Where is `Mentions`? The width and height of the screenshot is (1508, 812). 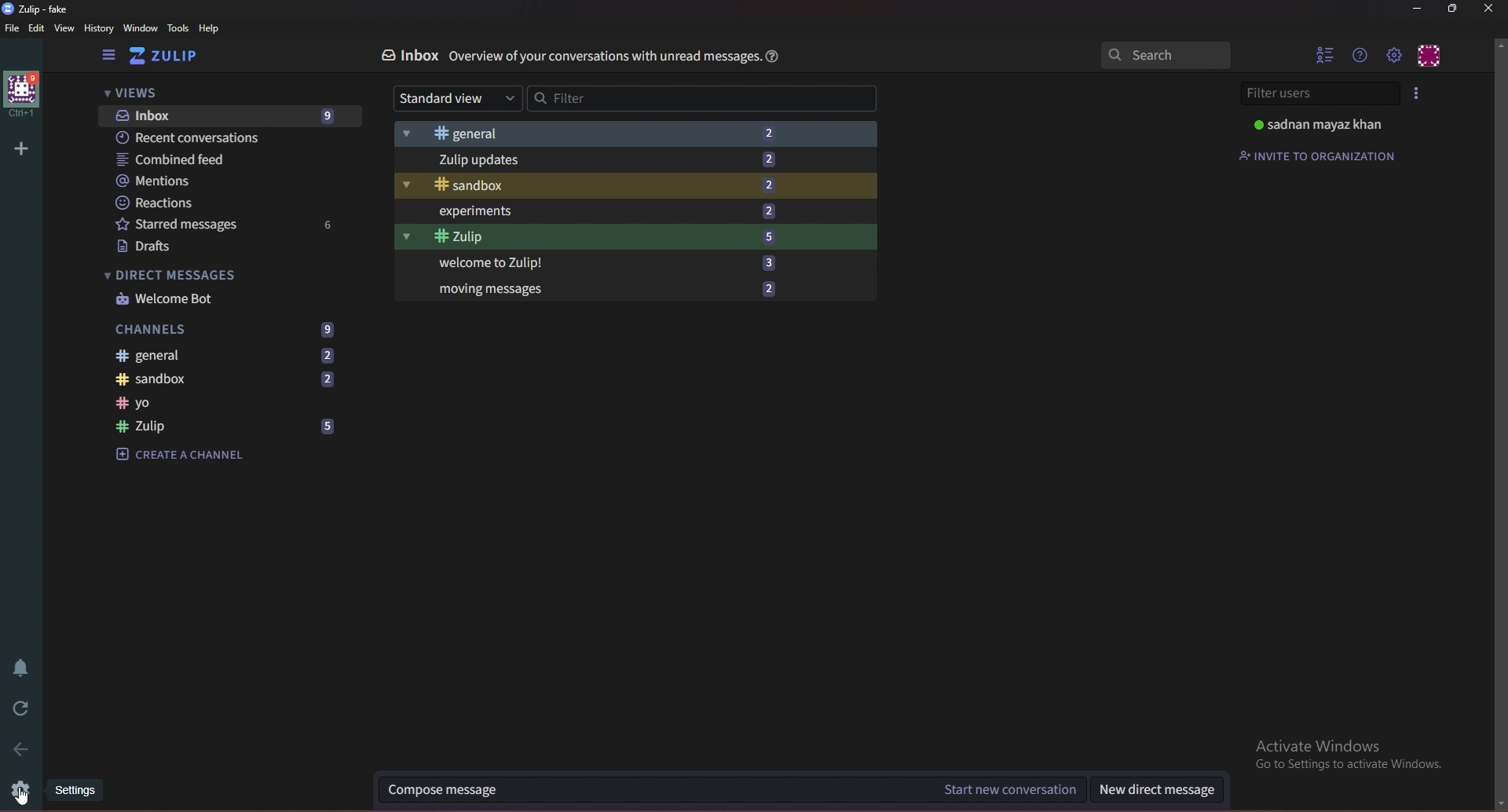
Mentions is located at coordinates (206, 181).